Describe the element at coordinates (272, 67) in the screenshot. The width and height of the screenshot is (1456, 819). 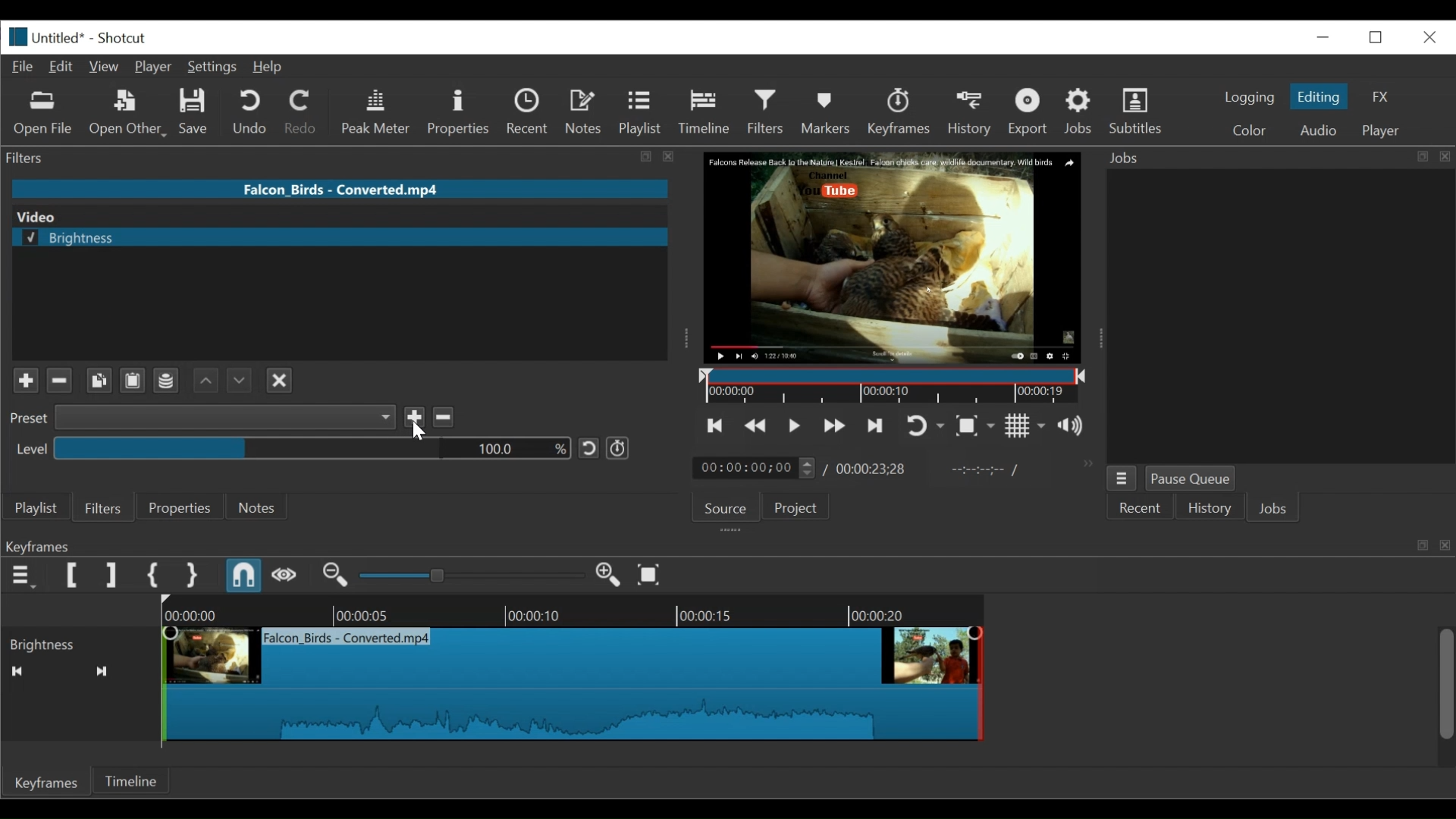
I see `Help` at that location.